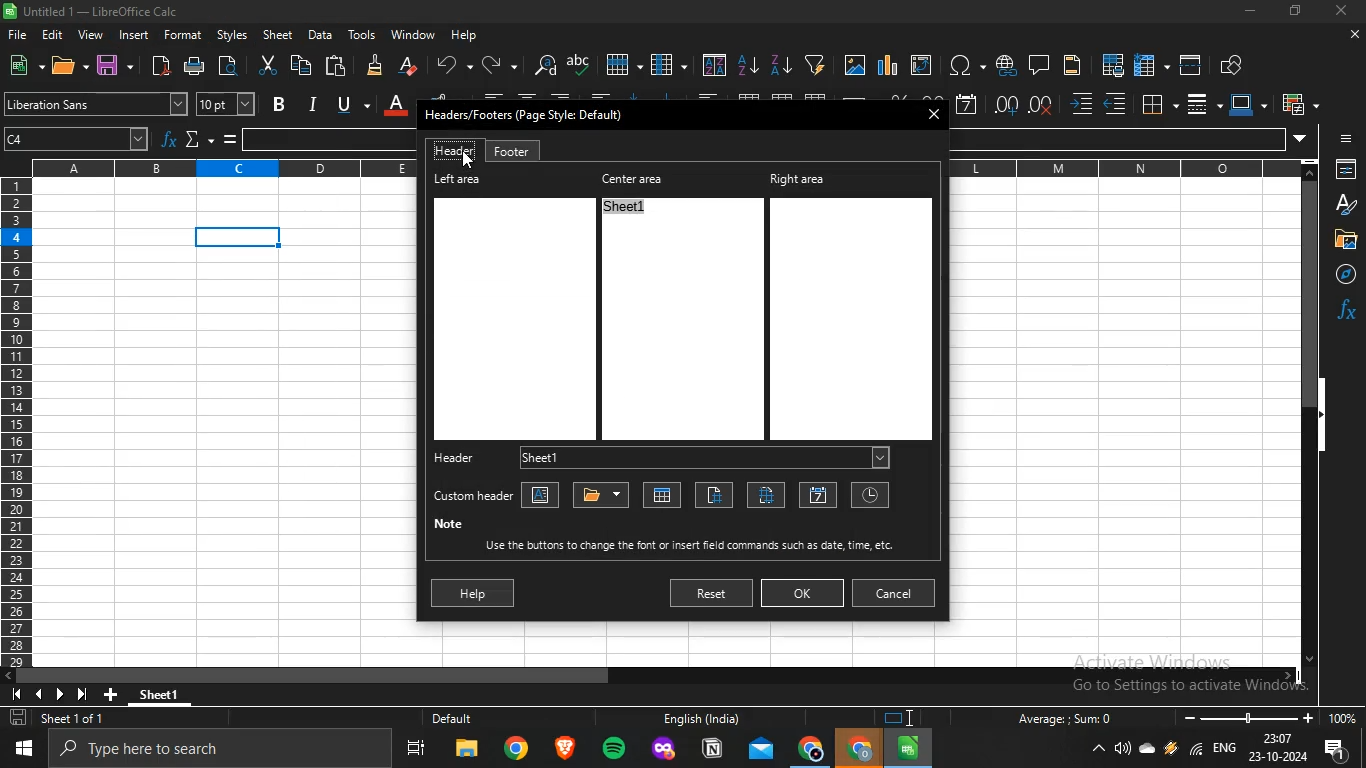 This screenshot has height=768, width=1366. I want to click on right area, so click(853, 305).